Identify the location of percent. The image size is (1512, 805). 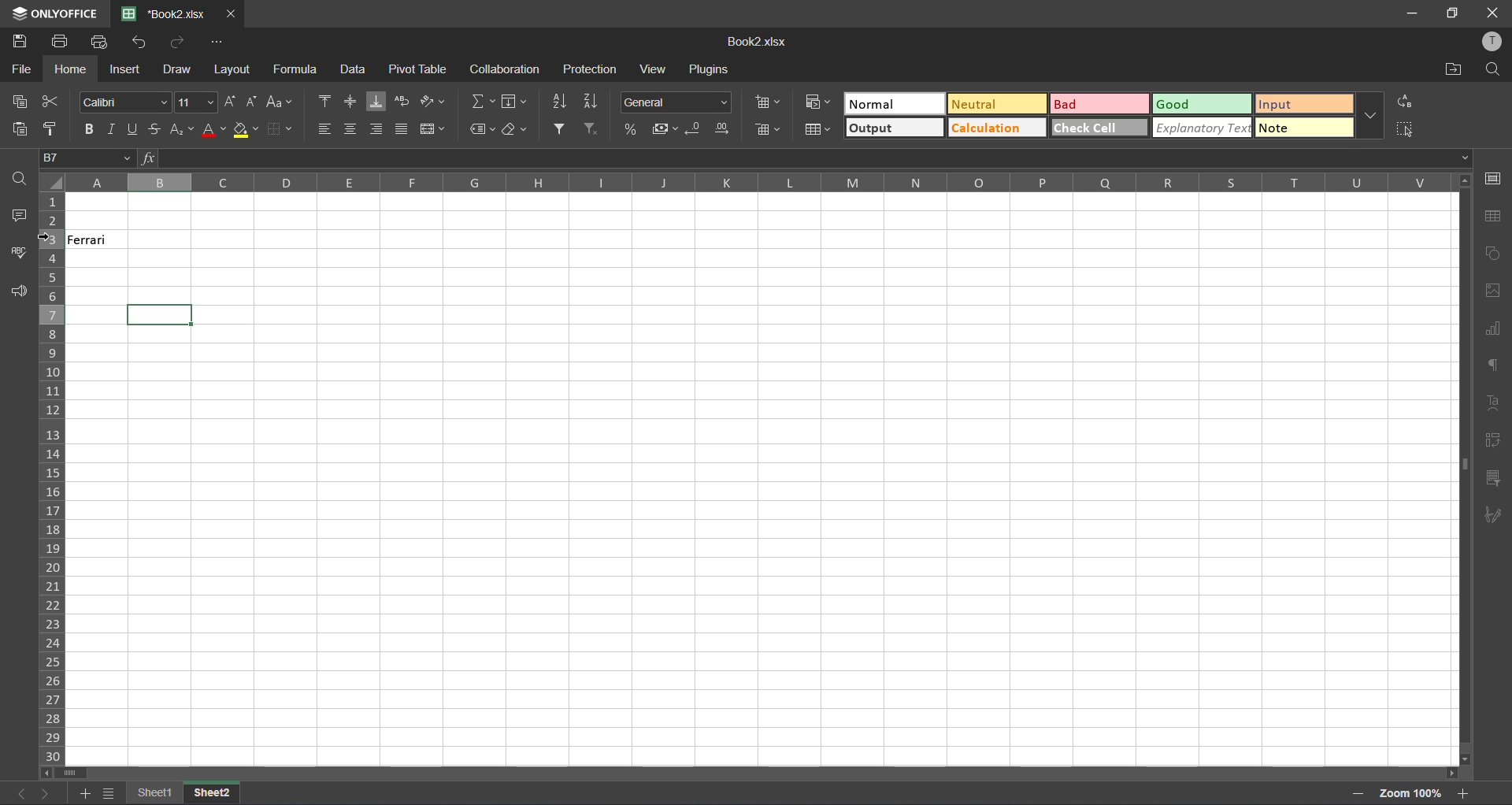
(631, 128).